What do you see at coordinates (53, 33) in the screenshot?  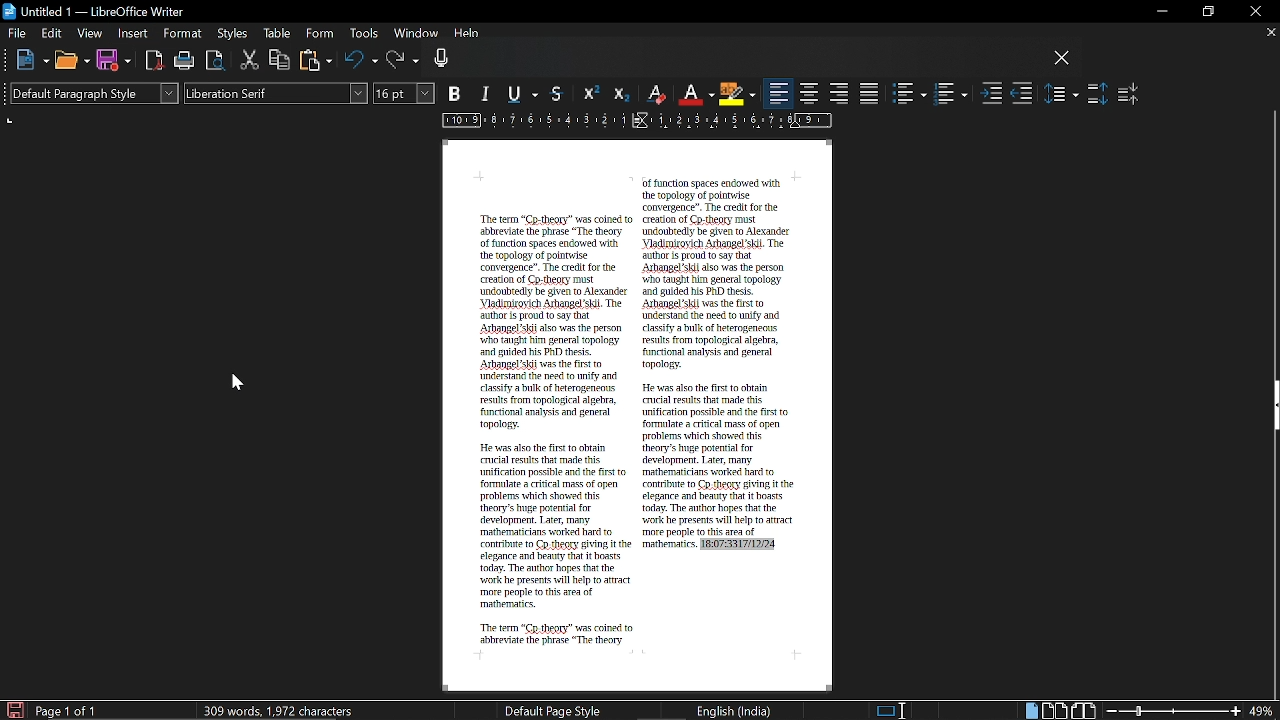 I see `Edit` at bounding box center [53, 33].